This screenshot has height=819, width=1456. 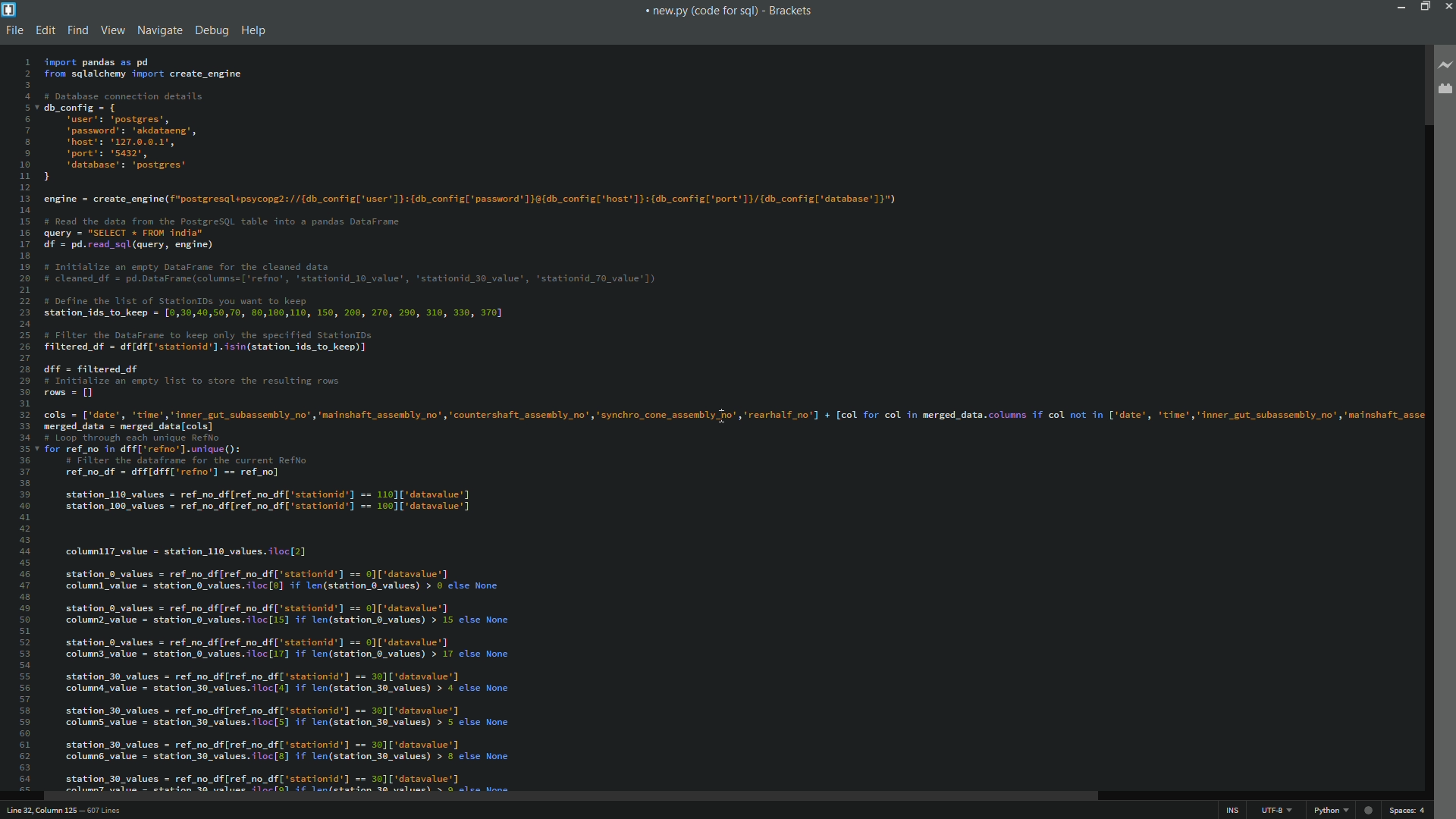 What do you see at coordinates (1444, 89) in the screenshot?
I see `extension manager` at bounding box center [1444, 89].